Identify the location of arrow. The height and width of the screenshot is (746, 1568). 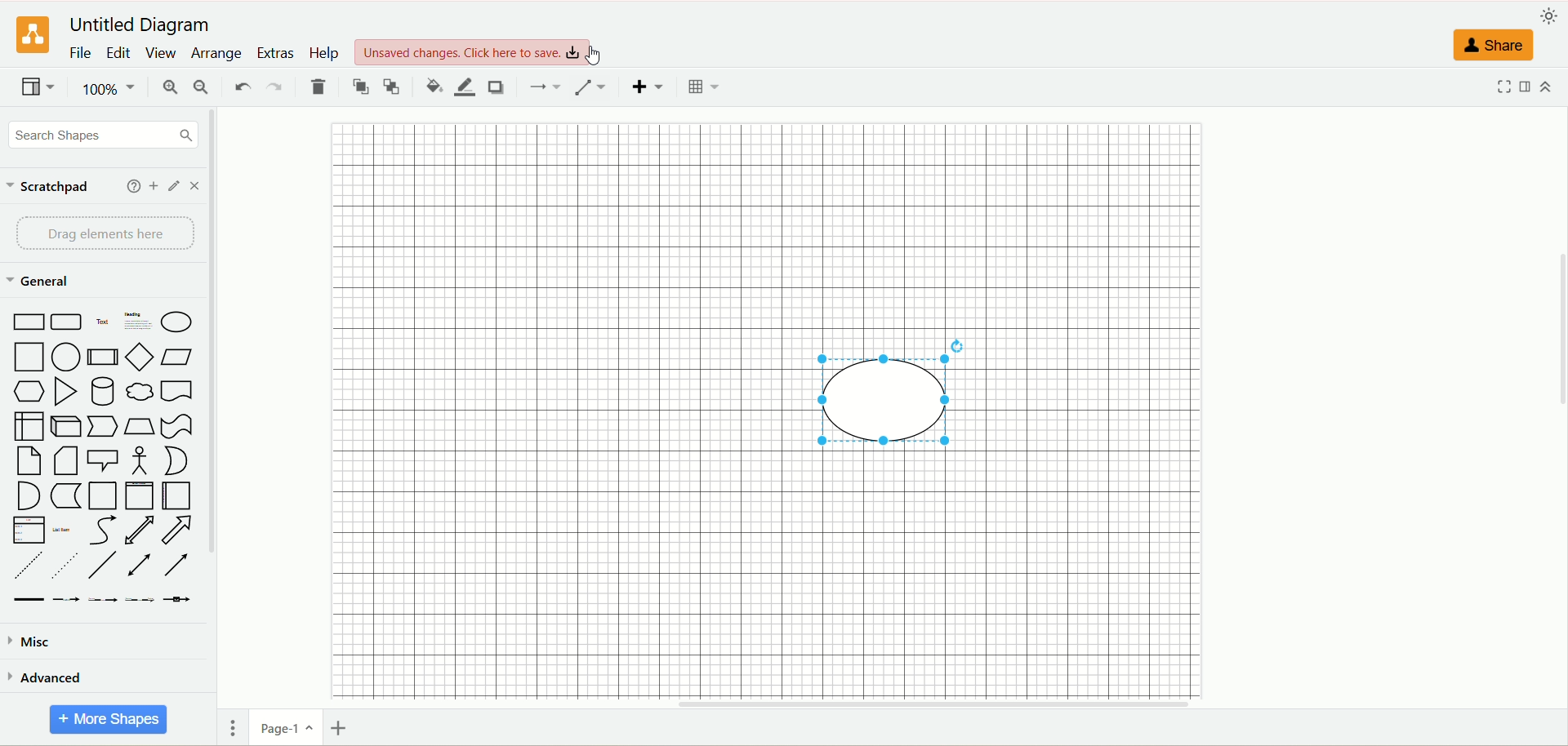
(179, 530).